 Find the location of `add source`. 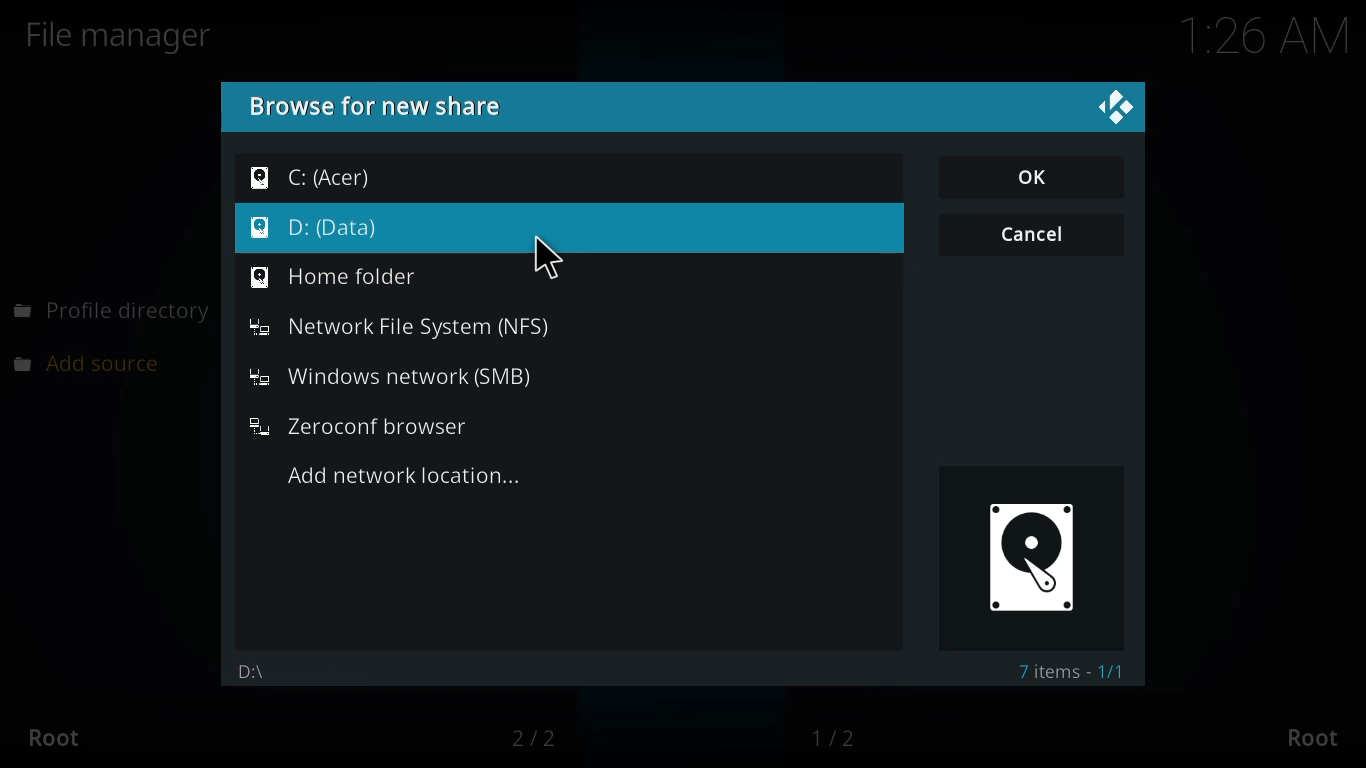

add source is located at coordinates (97, 362).